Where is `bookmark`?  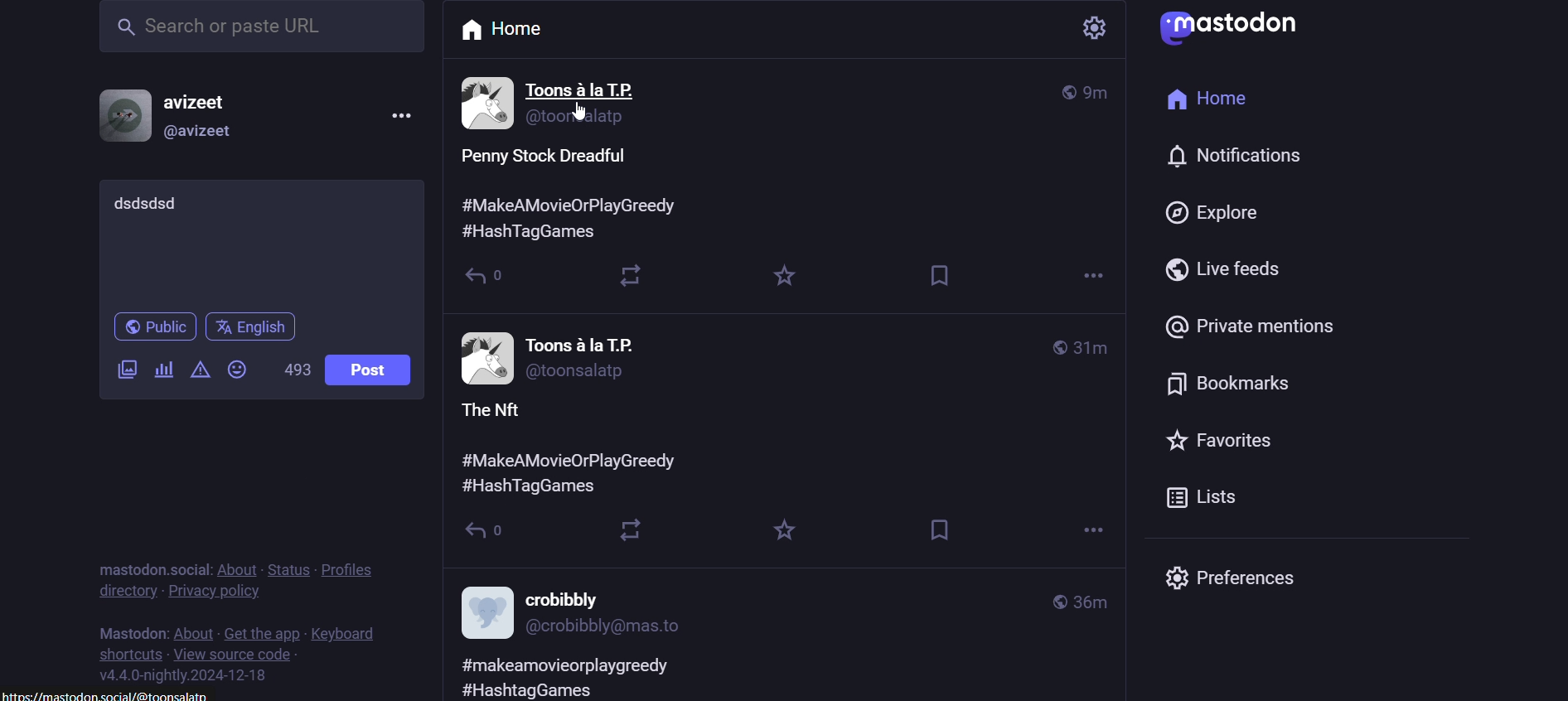
bookmark is located at coordinates (937, 278).